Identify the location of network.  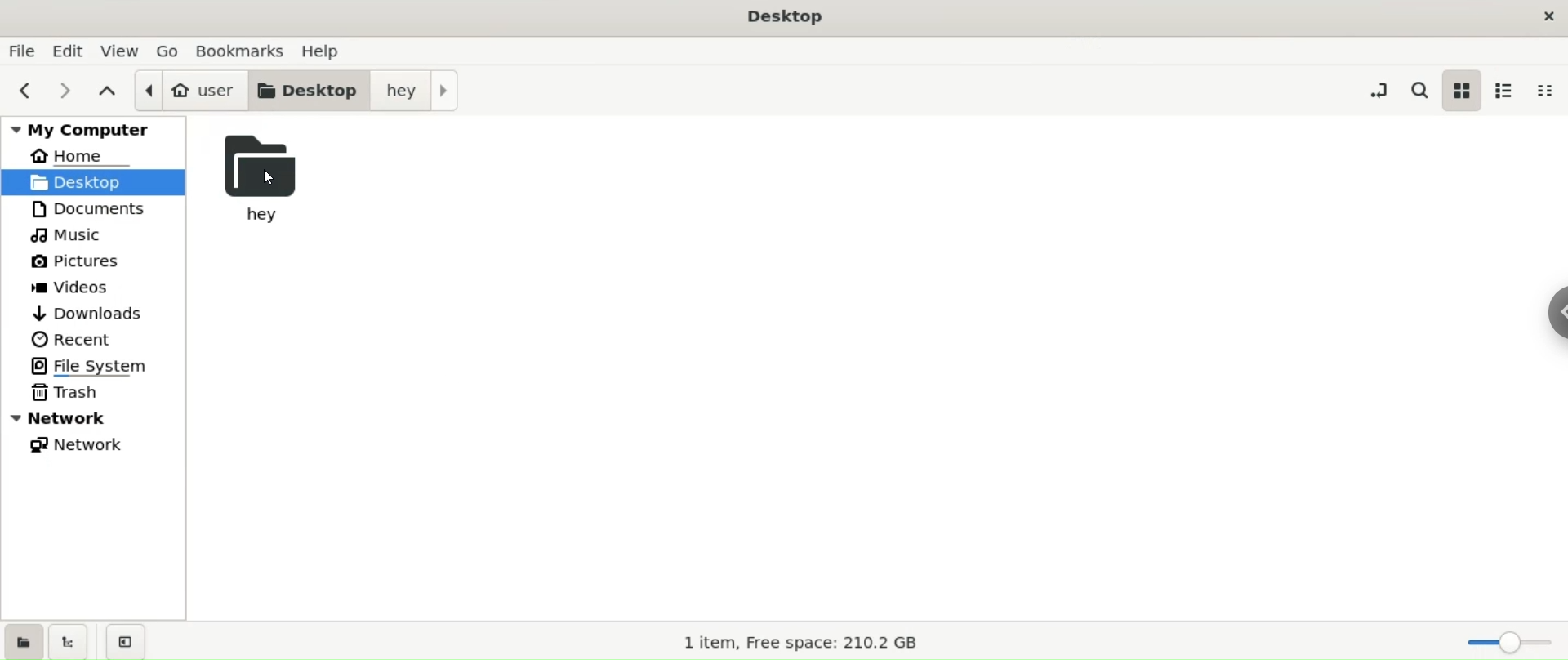
(100, 444).